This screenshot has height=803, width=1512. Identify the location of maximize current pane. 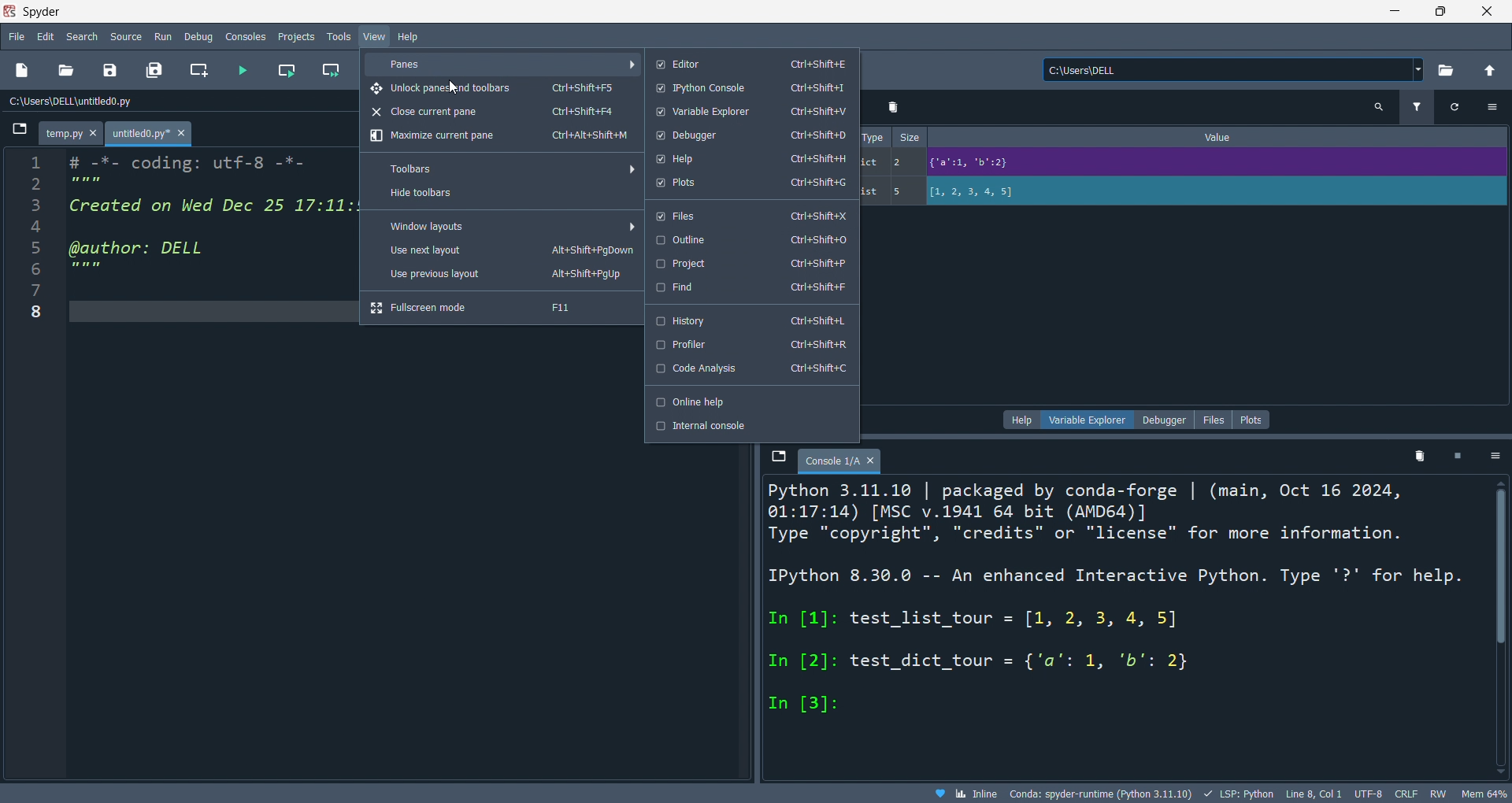
(498, 137).